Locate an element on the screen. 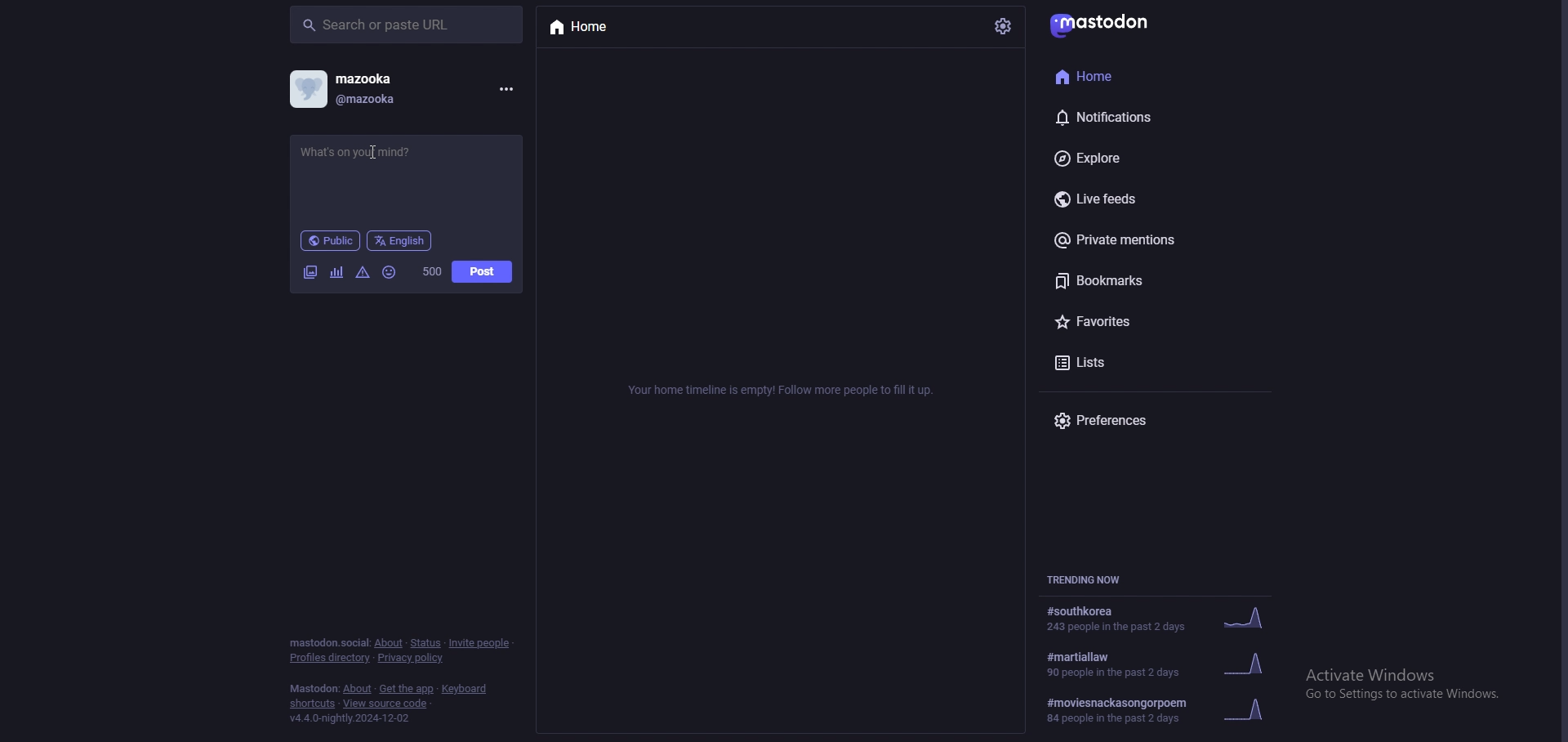 This screenshot has width=1568, height=742. post is located at coordinates (483, 271).